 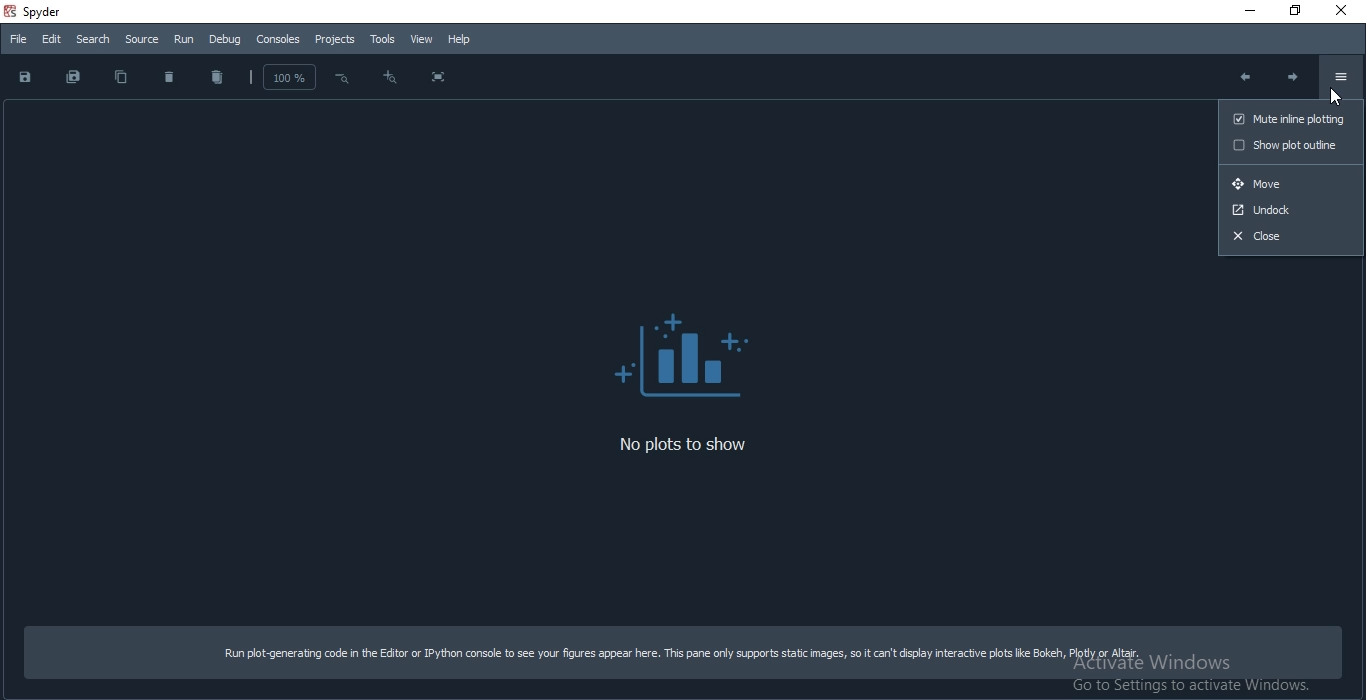 I want to click on Delete, so click(x=170, y=77).